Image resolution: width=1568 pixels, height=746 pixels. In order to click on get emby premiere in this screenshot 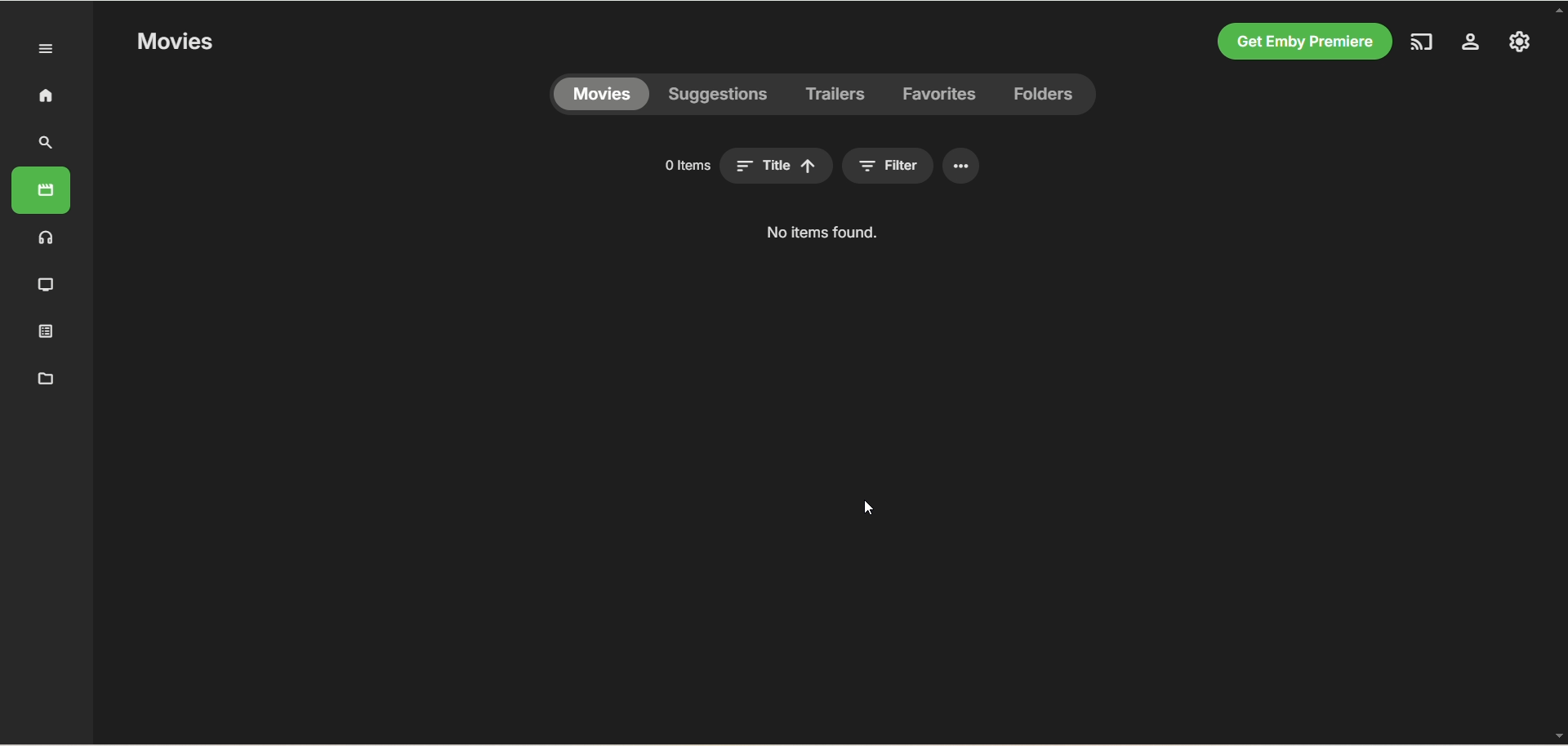, I will do `click(1300, 42)`.